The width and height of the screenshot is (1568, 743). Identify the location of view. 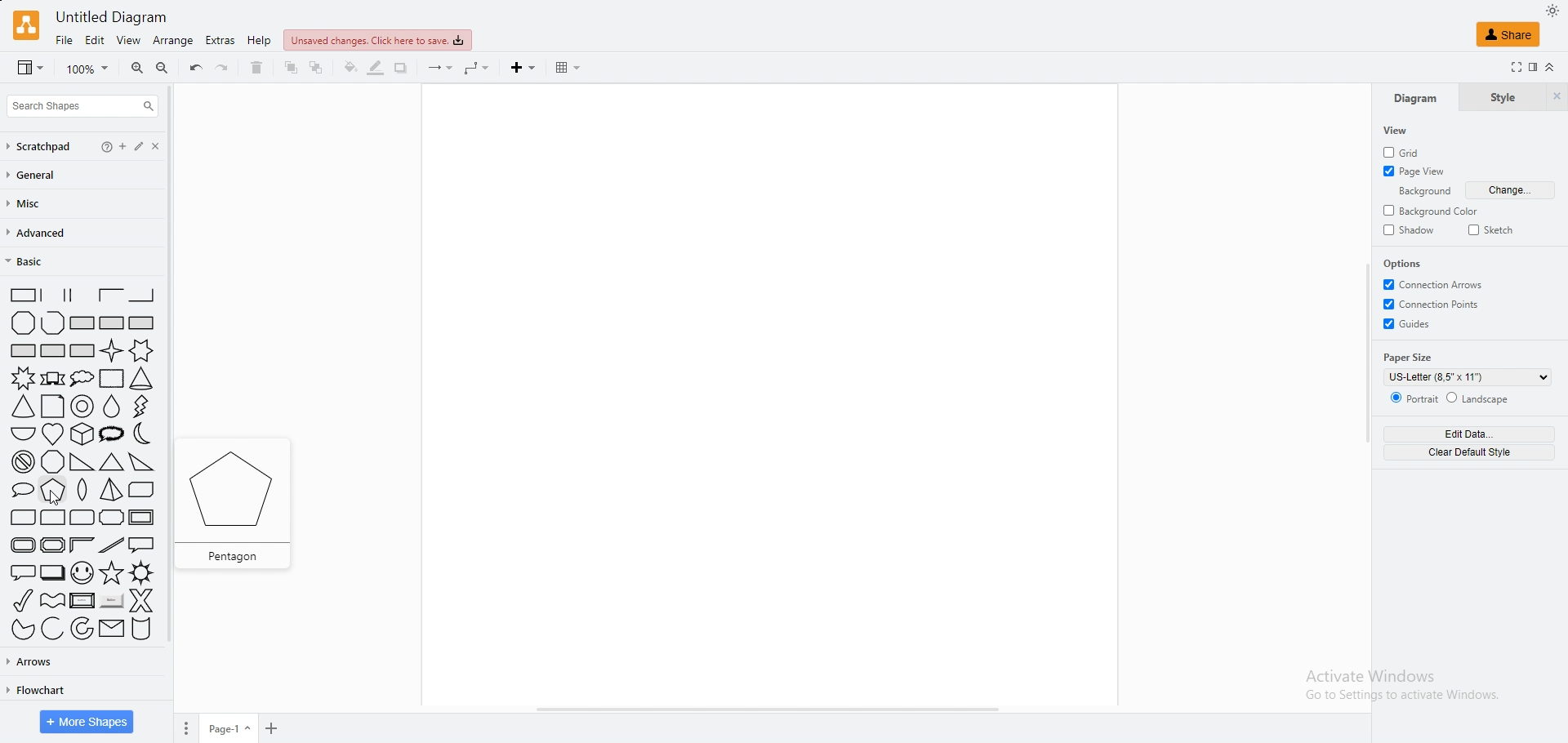
(26, 69).